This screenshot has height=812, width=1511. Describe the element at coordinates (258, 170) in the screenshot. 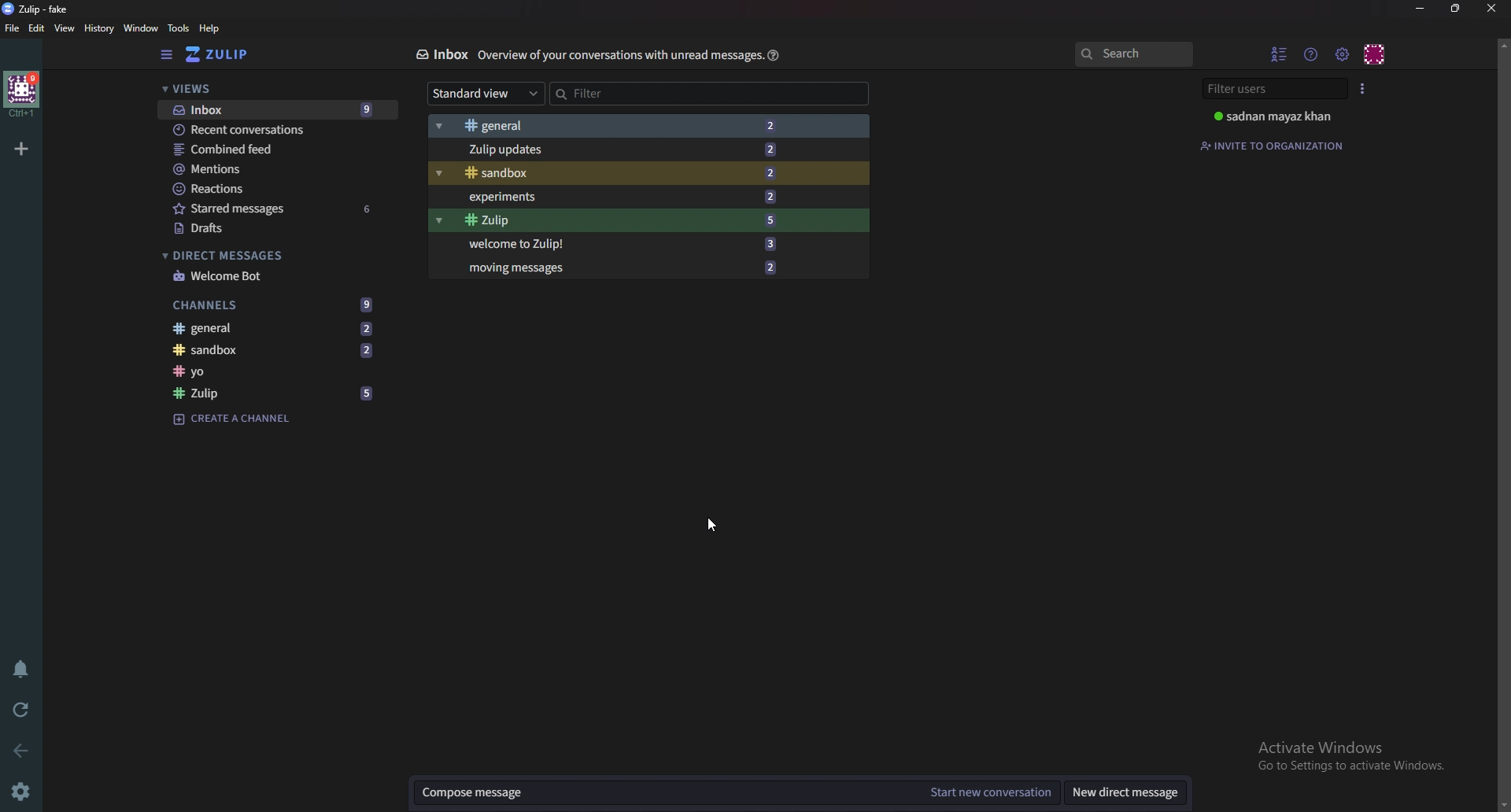

I see `Mentions` at that location.